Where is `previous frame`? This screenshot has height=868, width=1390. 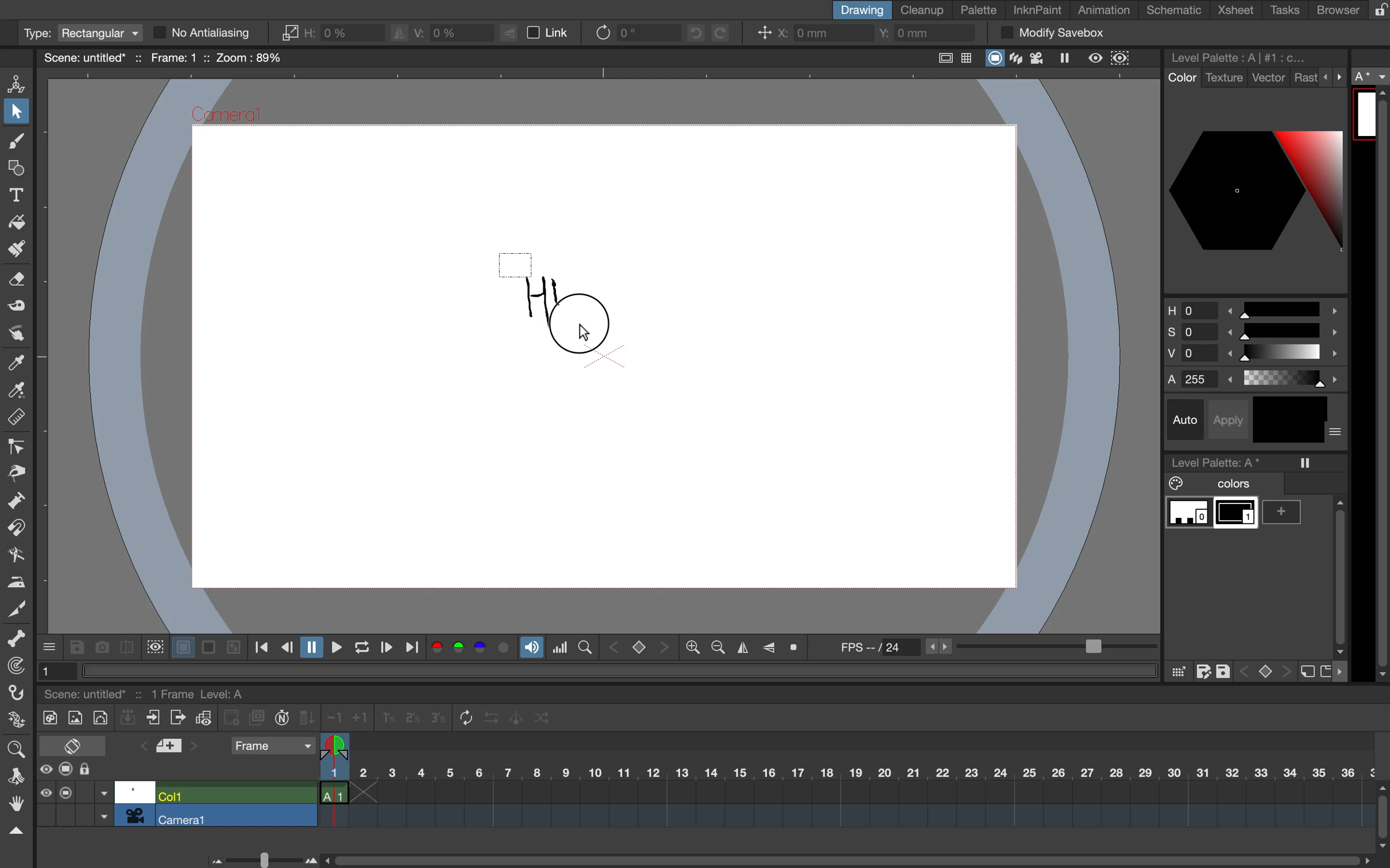
previous frame is located at coordinates (286, 648).